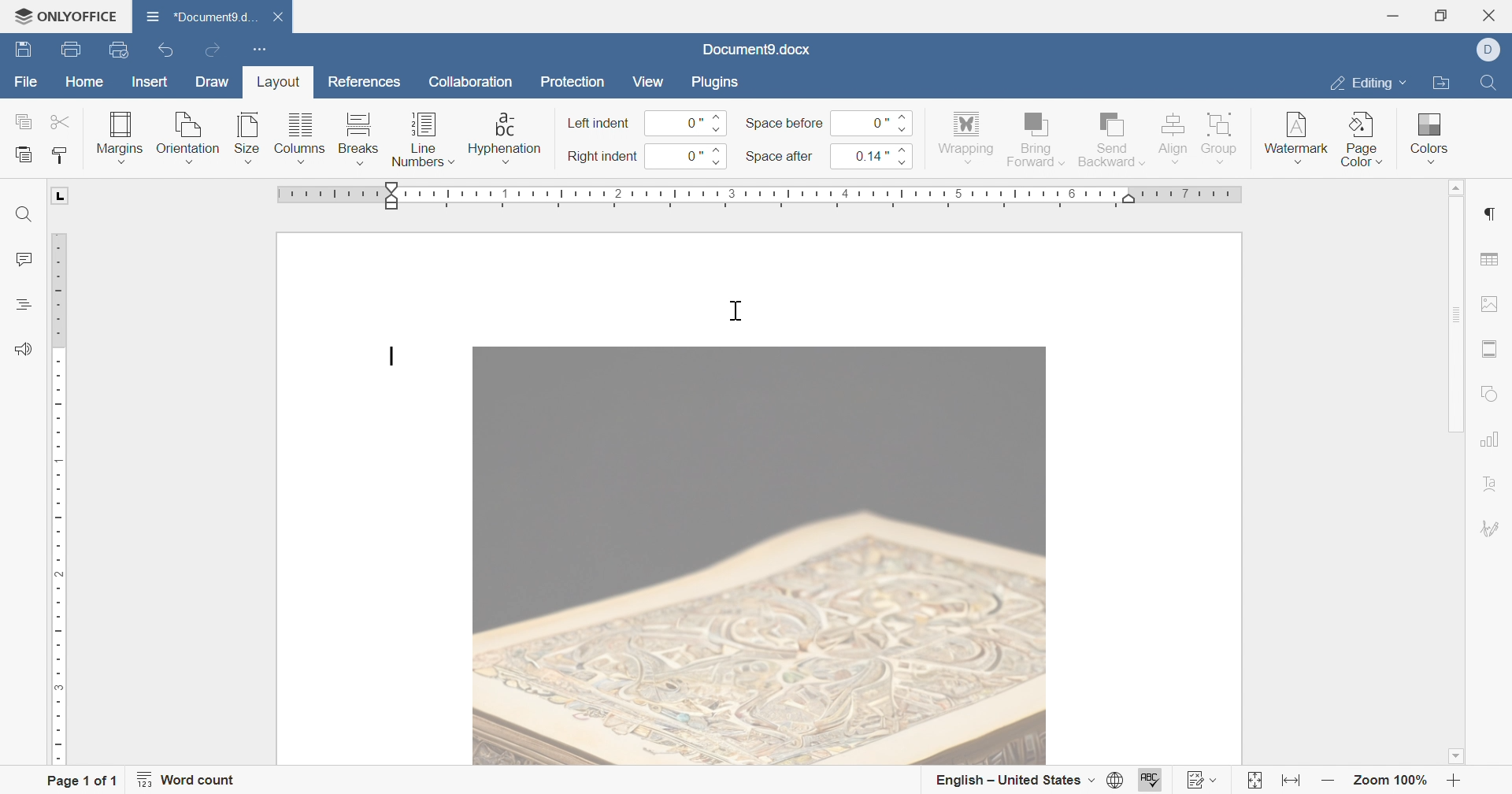 Image resolution: width=1512 pixels, height=794 pixels. I want to click on header and footer settings, so click(1487, 349).